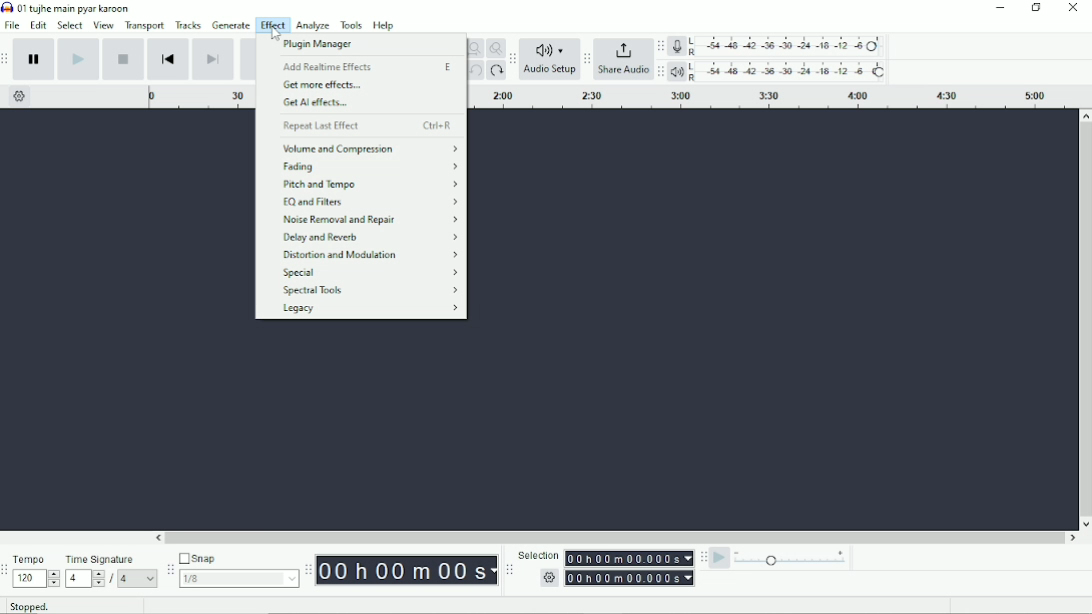  What do you see at coordinates (475, 71) in the screenshot?
I see `Undo` at bounding box center [475, 71].